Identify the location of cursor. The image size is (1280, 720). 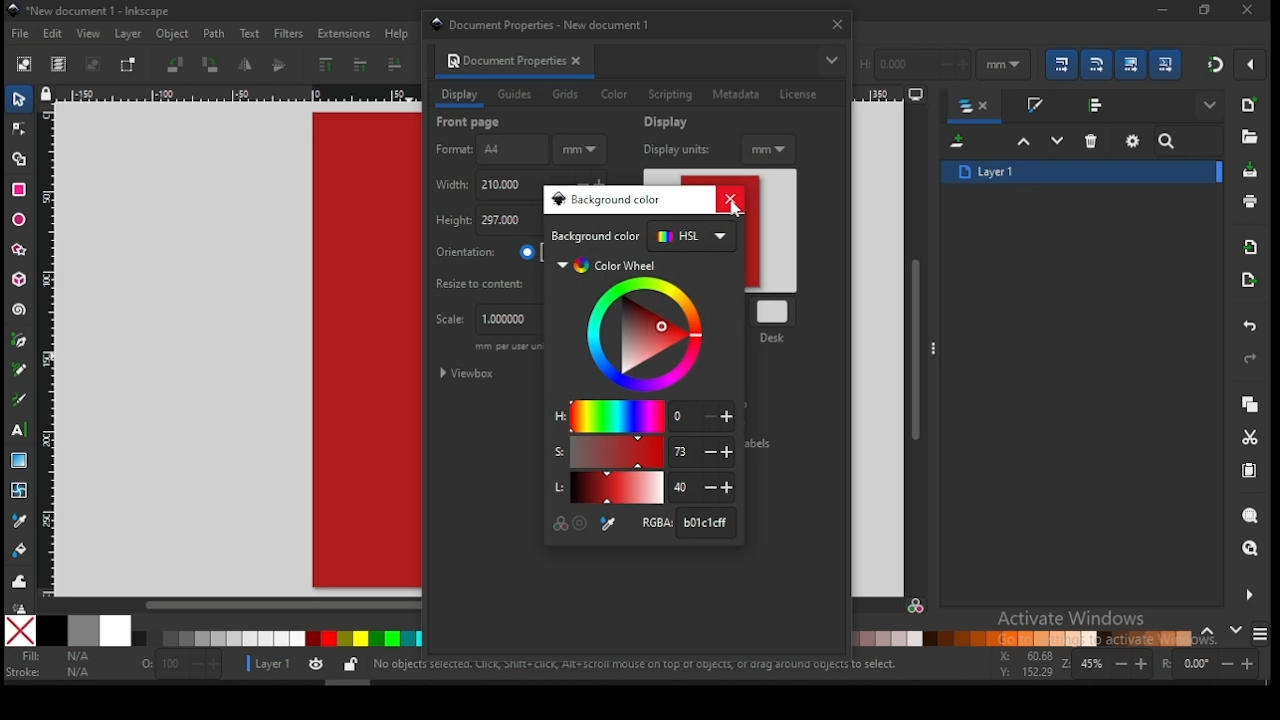
(736, 210).